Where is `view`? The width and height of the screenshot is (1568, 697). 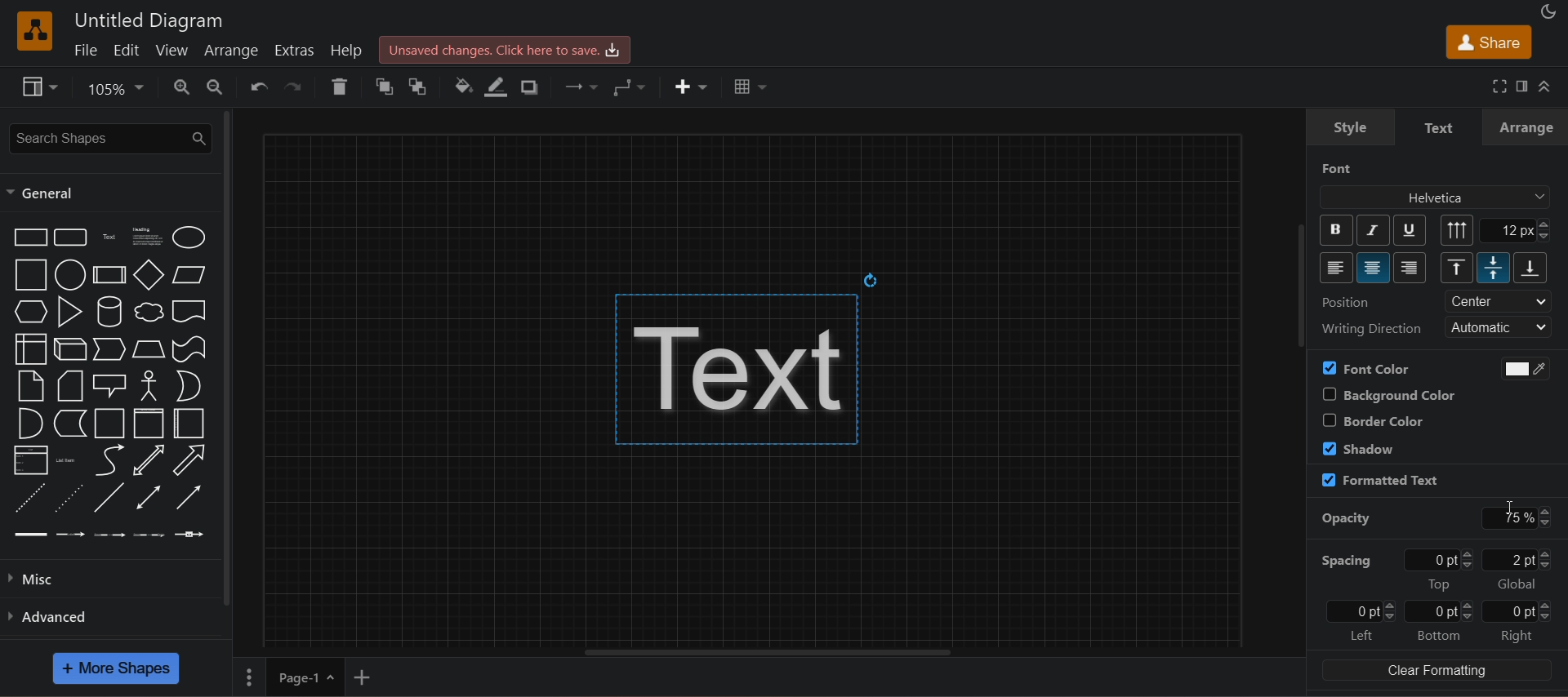
view is located at coordinates (170, 49).